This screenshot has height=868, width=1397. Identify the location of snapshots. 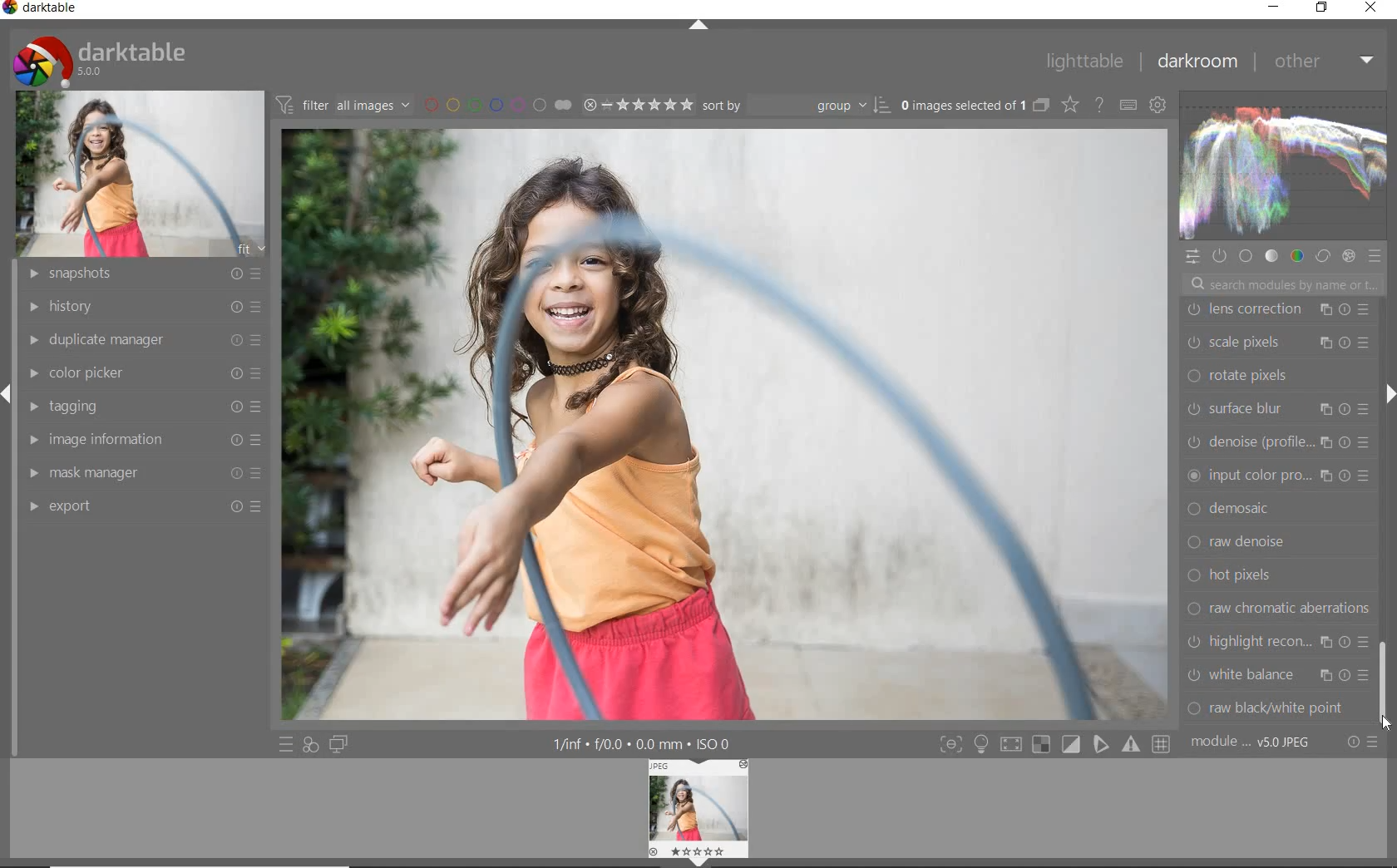
(139, 274).